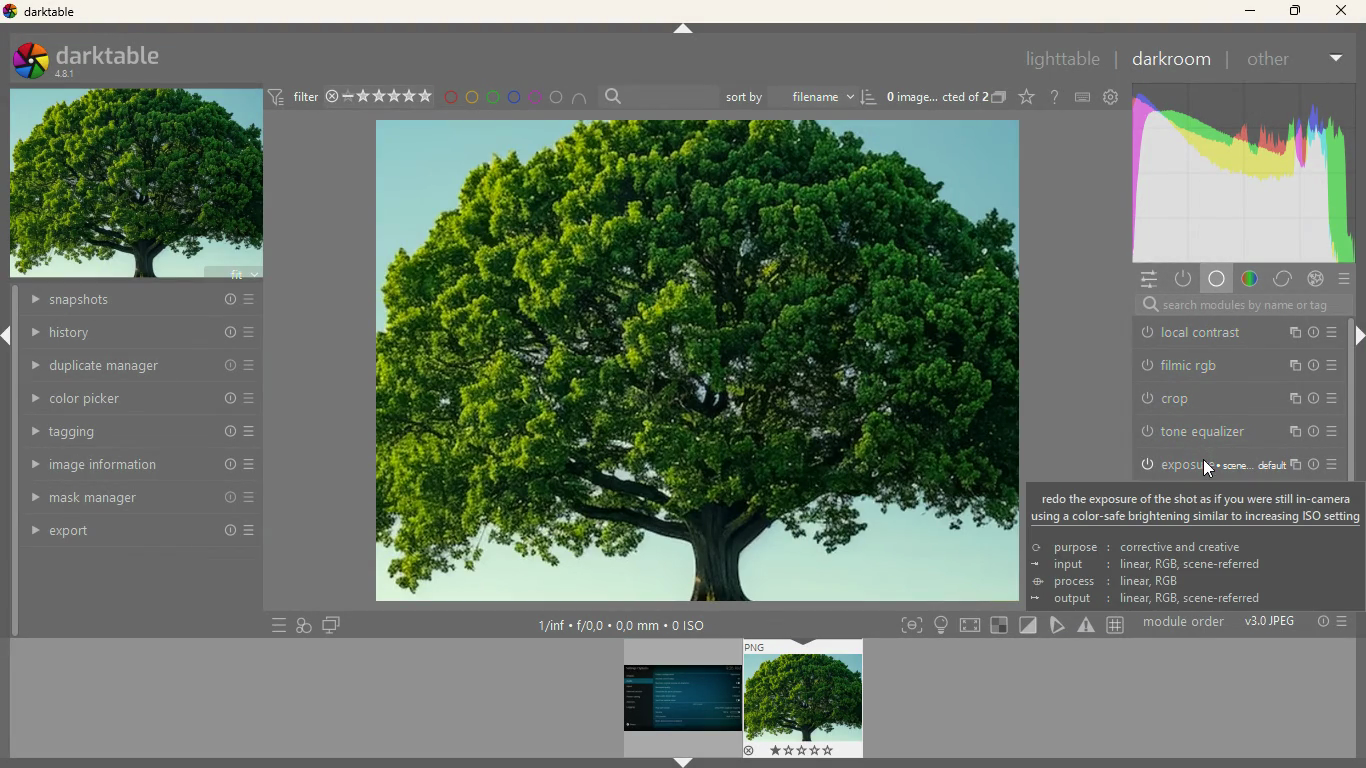 The image size is (1366, 768). What do you see at coordinates (137, 298) in the screenshot?
I see `` at bounding box center [137, 298].